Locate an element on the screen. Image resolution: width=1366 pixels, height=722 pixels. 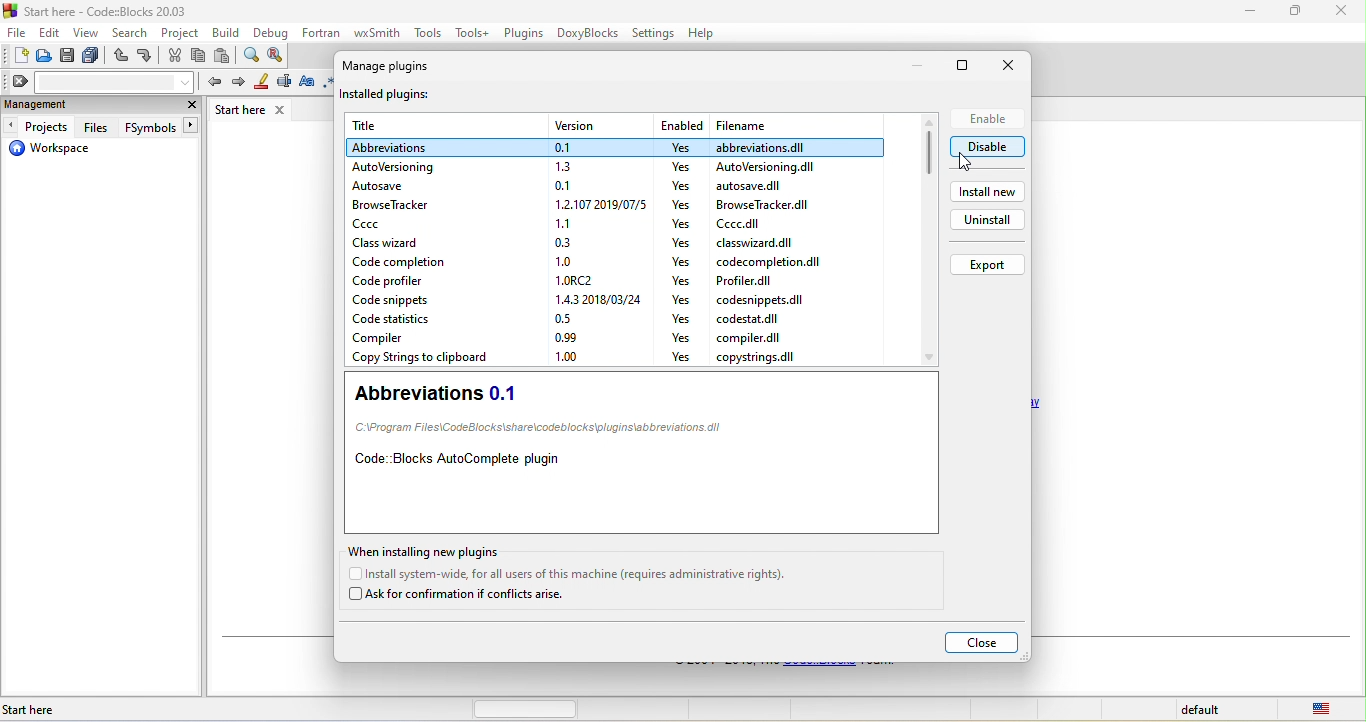
help is located at coordinates (700, 32).